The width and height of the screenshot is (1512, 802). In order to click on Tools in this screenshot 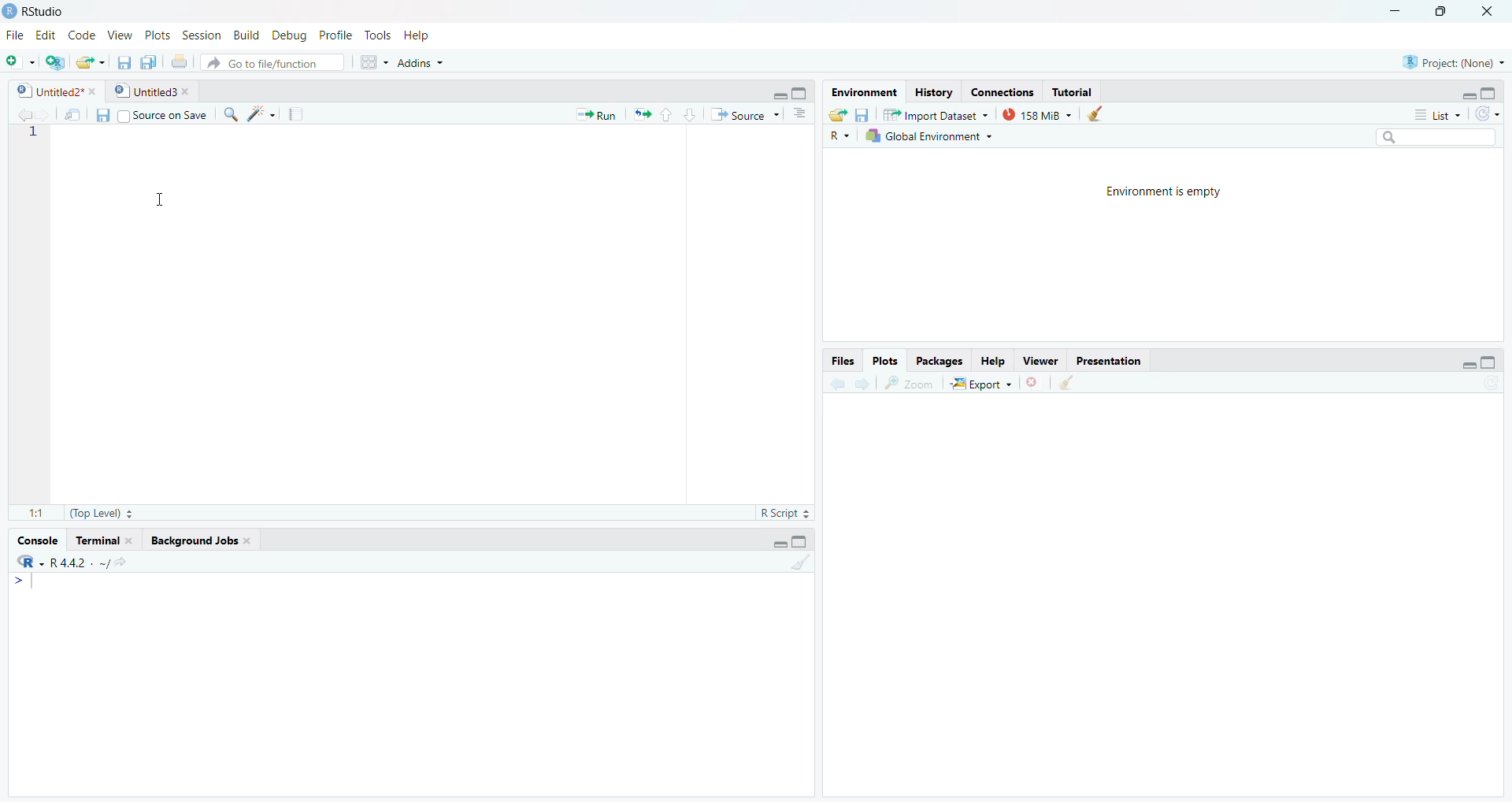, I will do `click(379, 34)`.